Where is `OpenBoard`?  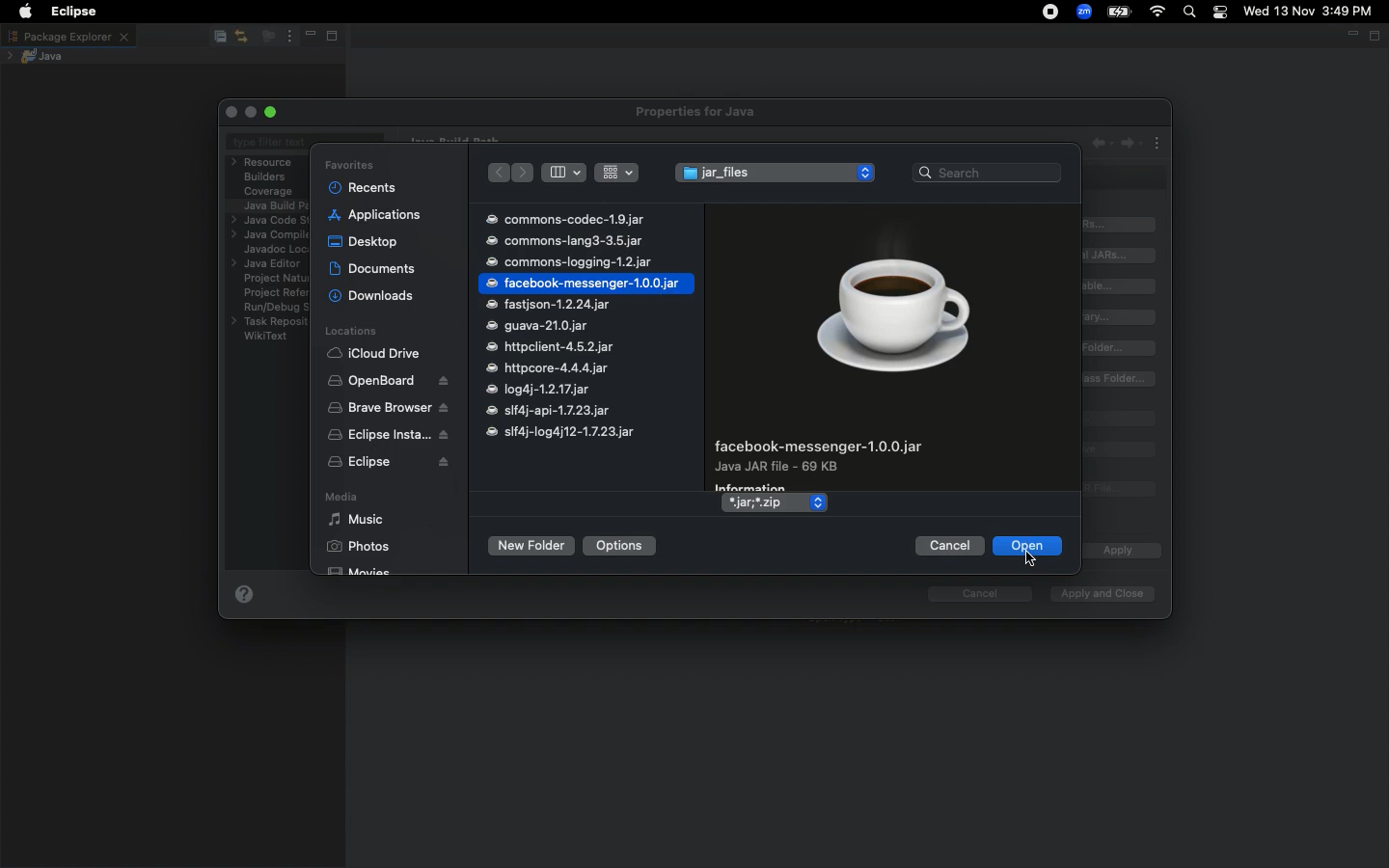 OpenBoard is located at coordinates (390, 381).